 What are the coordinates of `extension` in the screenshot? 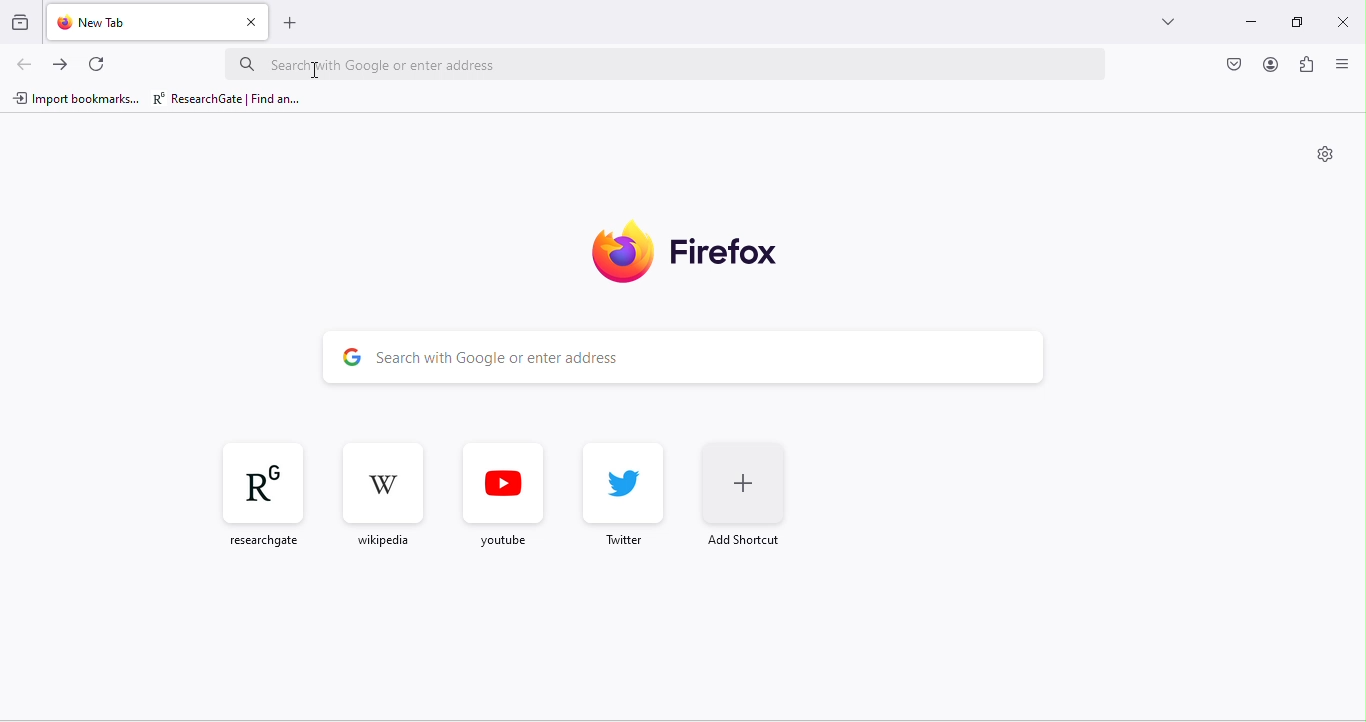 It's located at (1309, 65).